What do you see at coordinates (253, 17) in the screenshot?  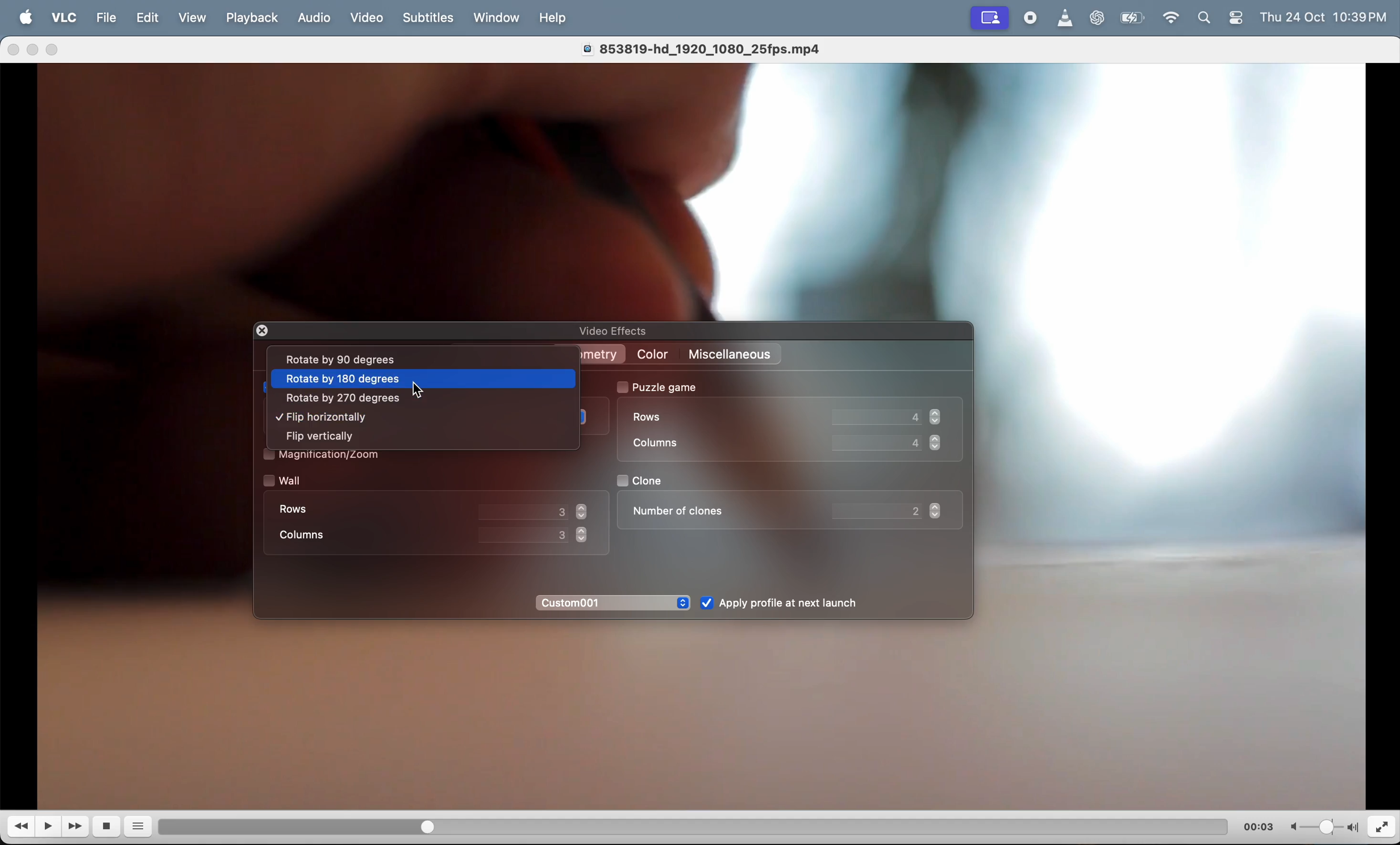 I see `playback` at bounding box center [253, 17].